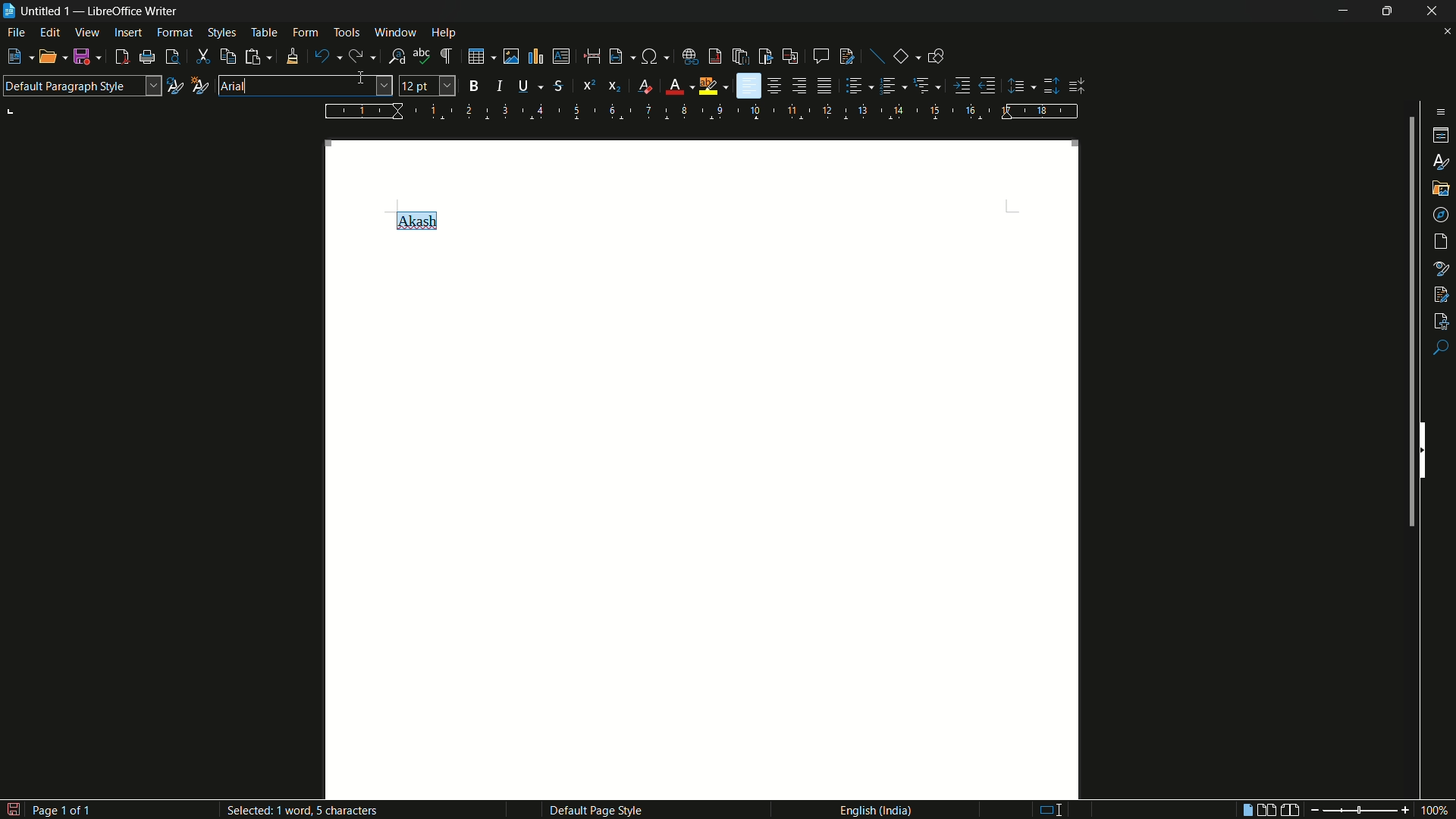  What do you see at coordinates (17, 34) in the screenshot?
I see `file menu` at bounding box center [17, 34].